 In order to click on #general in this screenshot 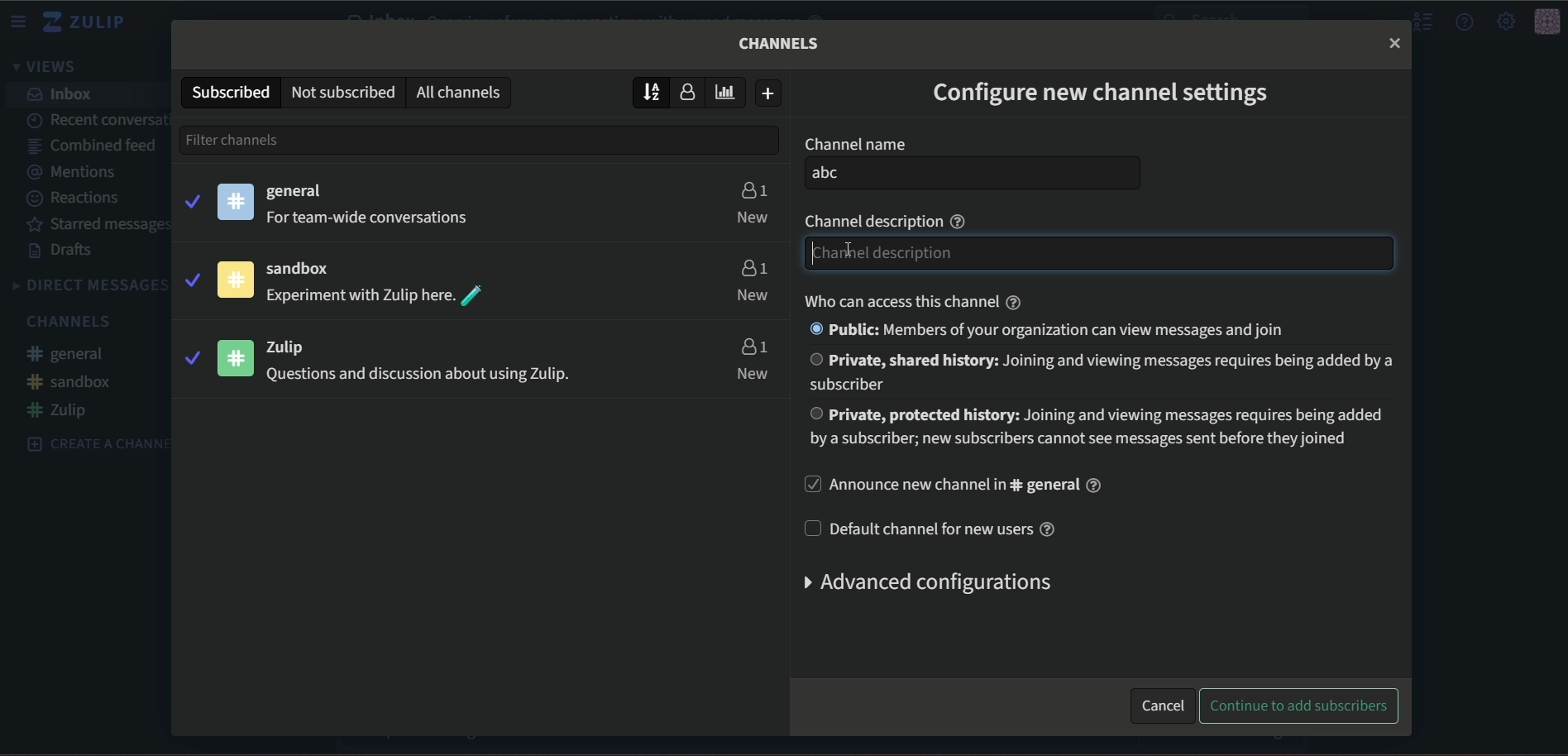, I will do `click(74, 356)`.